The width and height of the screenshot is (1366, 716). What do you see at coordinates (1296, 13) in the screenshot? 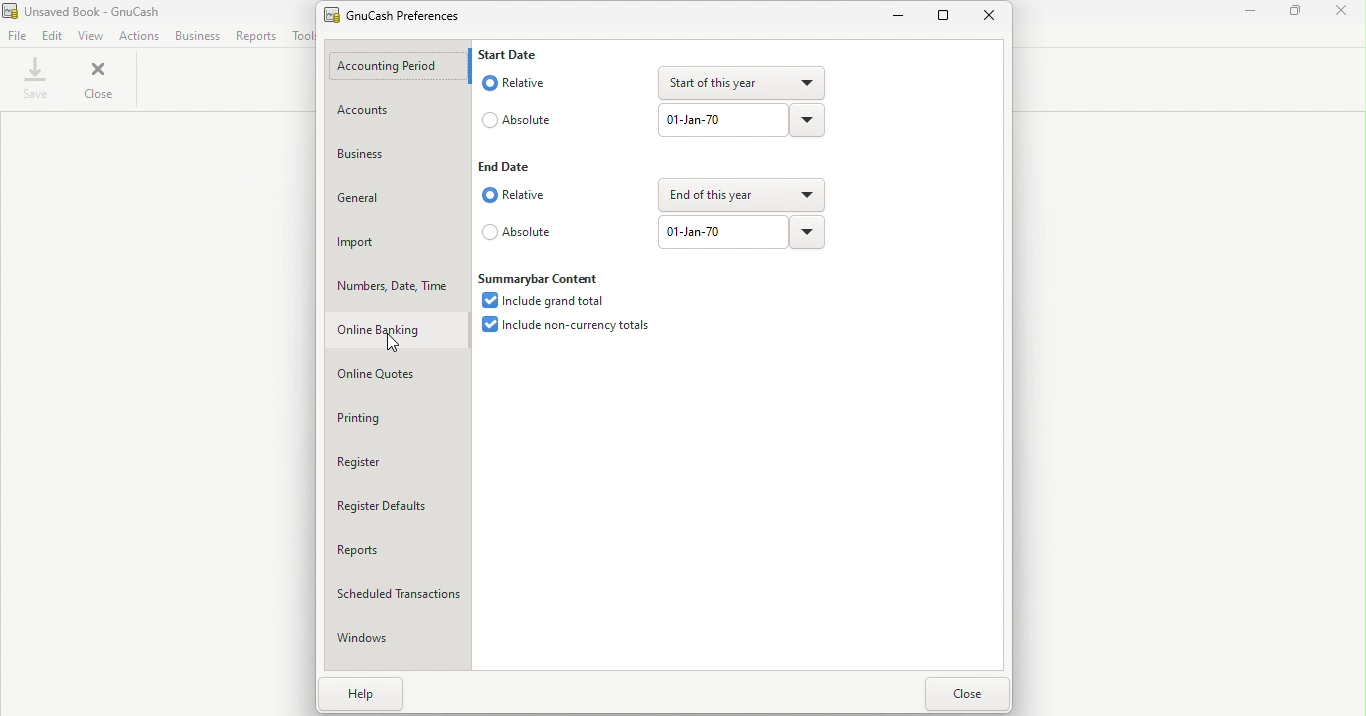
I see `Maximize` at bounding box center [1296, 13].